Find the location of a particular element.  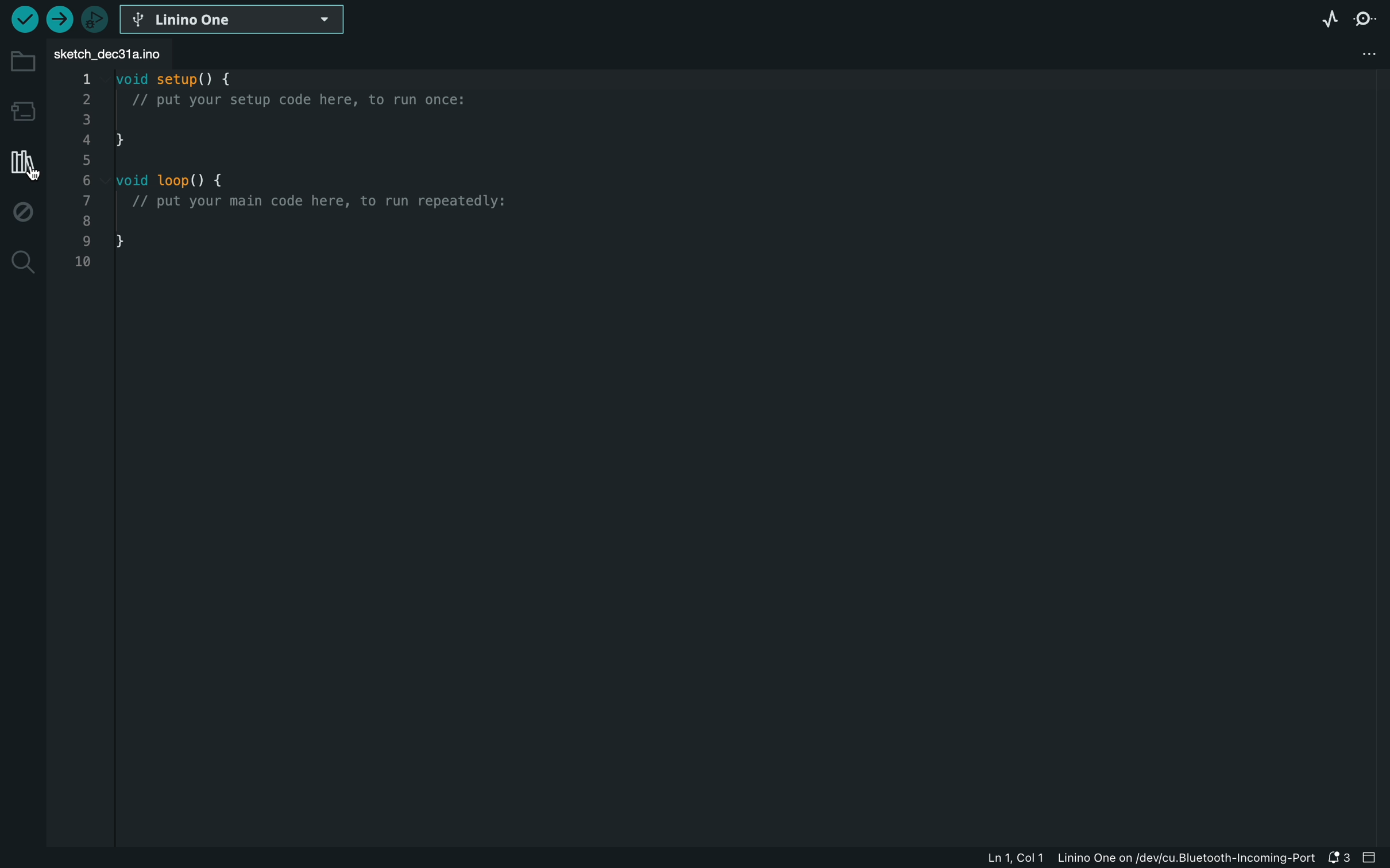

board selector is located at coordinates (230, 18).